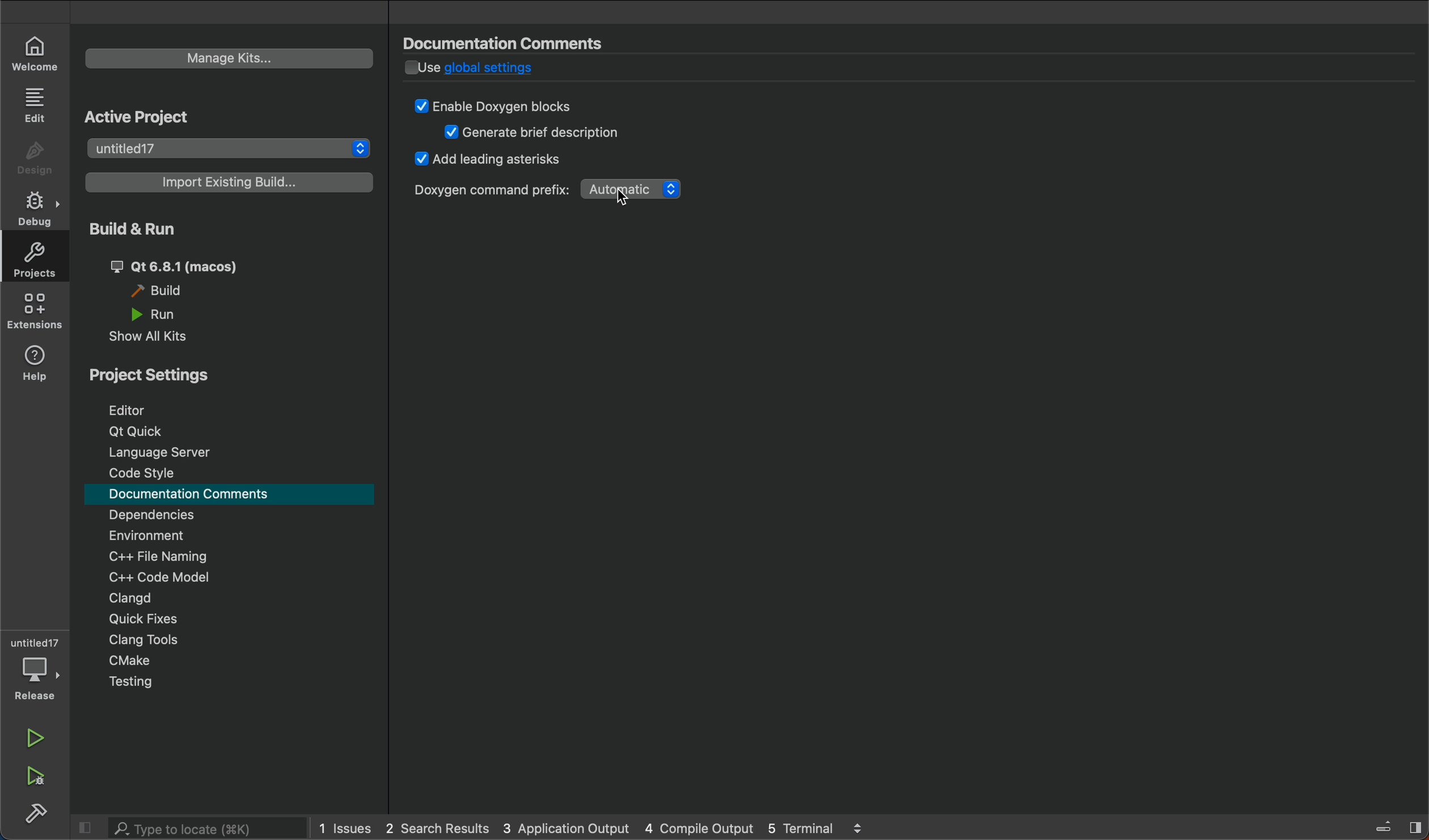  What do you see at coordinates (34, 667) in the screenshot?
I see `debugger` at bounding box center [34, 667].